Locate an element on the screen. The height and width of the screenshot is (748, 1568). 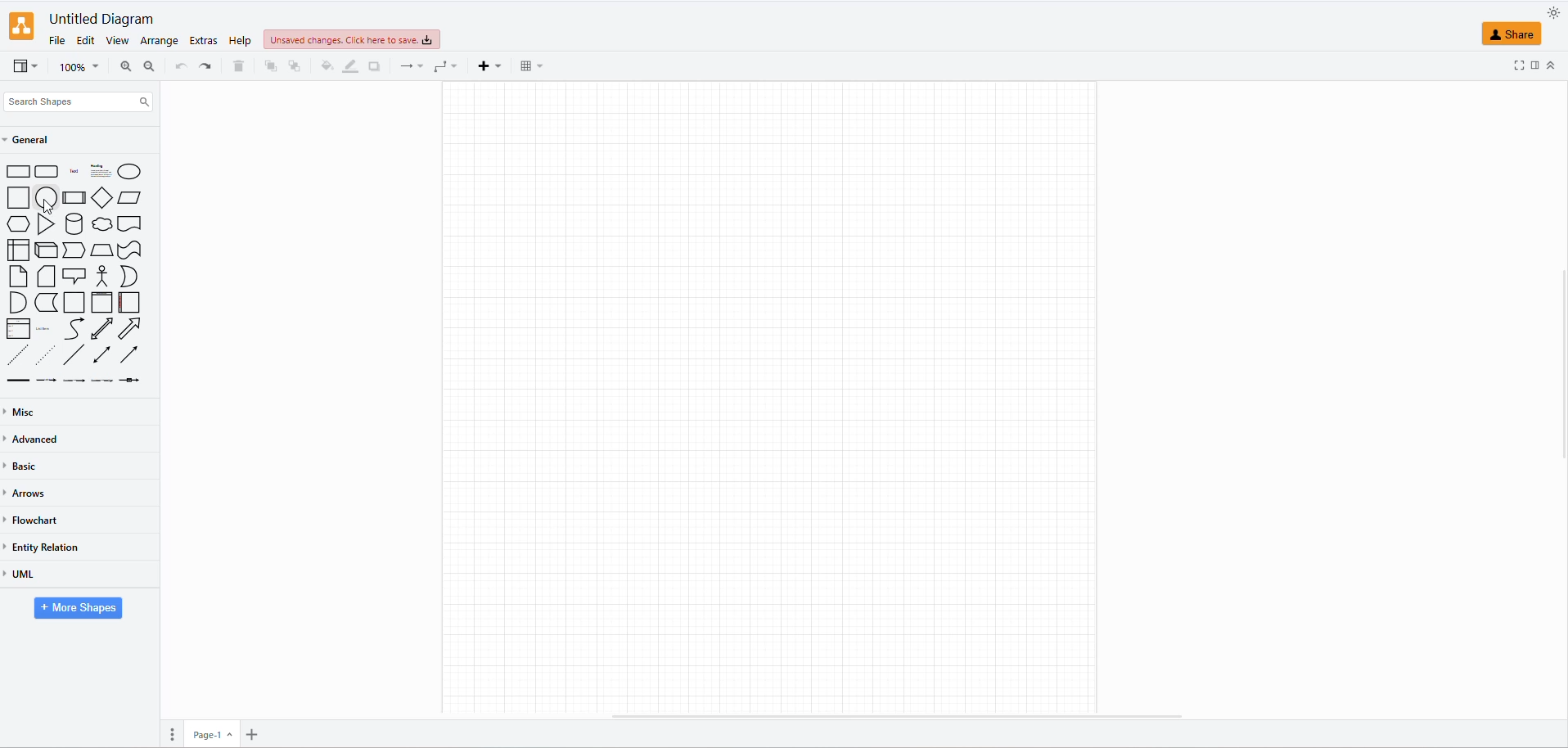
CONTAINER is located at coordinates (74, 302).